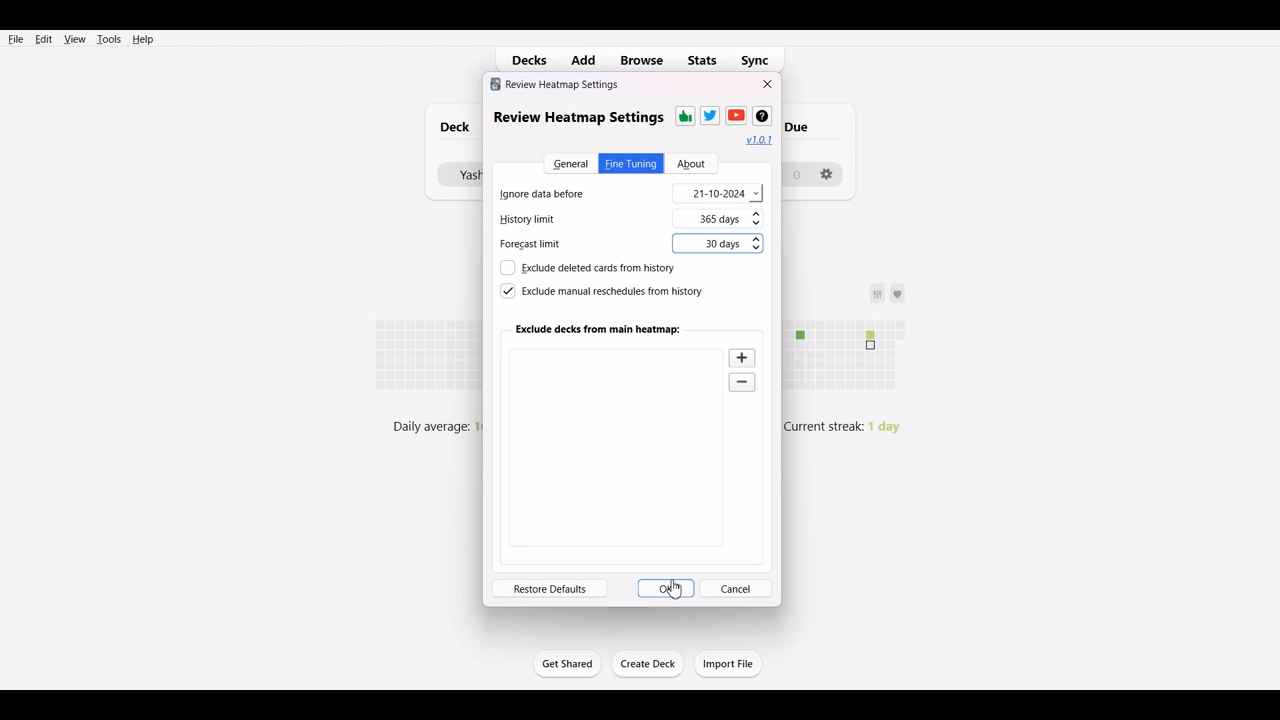 The width and height of the screenshot is (1280, 720). What do you see at coordinates (795, 173) in the screenshot?
I see `0` at bounding box center [795, 173].